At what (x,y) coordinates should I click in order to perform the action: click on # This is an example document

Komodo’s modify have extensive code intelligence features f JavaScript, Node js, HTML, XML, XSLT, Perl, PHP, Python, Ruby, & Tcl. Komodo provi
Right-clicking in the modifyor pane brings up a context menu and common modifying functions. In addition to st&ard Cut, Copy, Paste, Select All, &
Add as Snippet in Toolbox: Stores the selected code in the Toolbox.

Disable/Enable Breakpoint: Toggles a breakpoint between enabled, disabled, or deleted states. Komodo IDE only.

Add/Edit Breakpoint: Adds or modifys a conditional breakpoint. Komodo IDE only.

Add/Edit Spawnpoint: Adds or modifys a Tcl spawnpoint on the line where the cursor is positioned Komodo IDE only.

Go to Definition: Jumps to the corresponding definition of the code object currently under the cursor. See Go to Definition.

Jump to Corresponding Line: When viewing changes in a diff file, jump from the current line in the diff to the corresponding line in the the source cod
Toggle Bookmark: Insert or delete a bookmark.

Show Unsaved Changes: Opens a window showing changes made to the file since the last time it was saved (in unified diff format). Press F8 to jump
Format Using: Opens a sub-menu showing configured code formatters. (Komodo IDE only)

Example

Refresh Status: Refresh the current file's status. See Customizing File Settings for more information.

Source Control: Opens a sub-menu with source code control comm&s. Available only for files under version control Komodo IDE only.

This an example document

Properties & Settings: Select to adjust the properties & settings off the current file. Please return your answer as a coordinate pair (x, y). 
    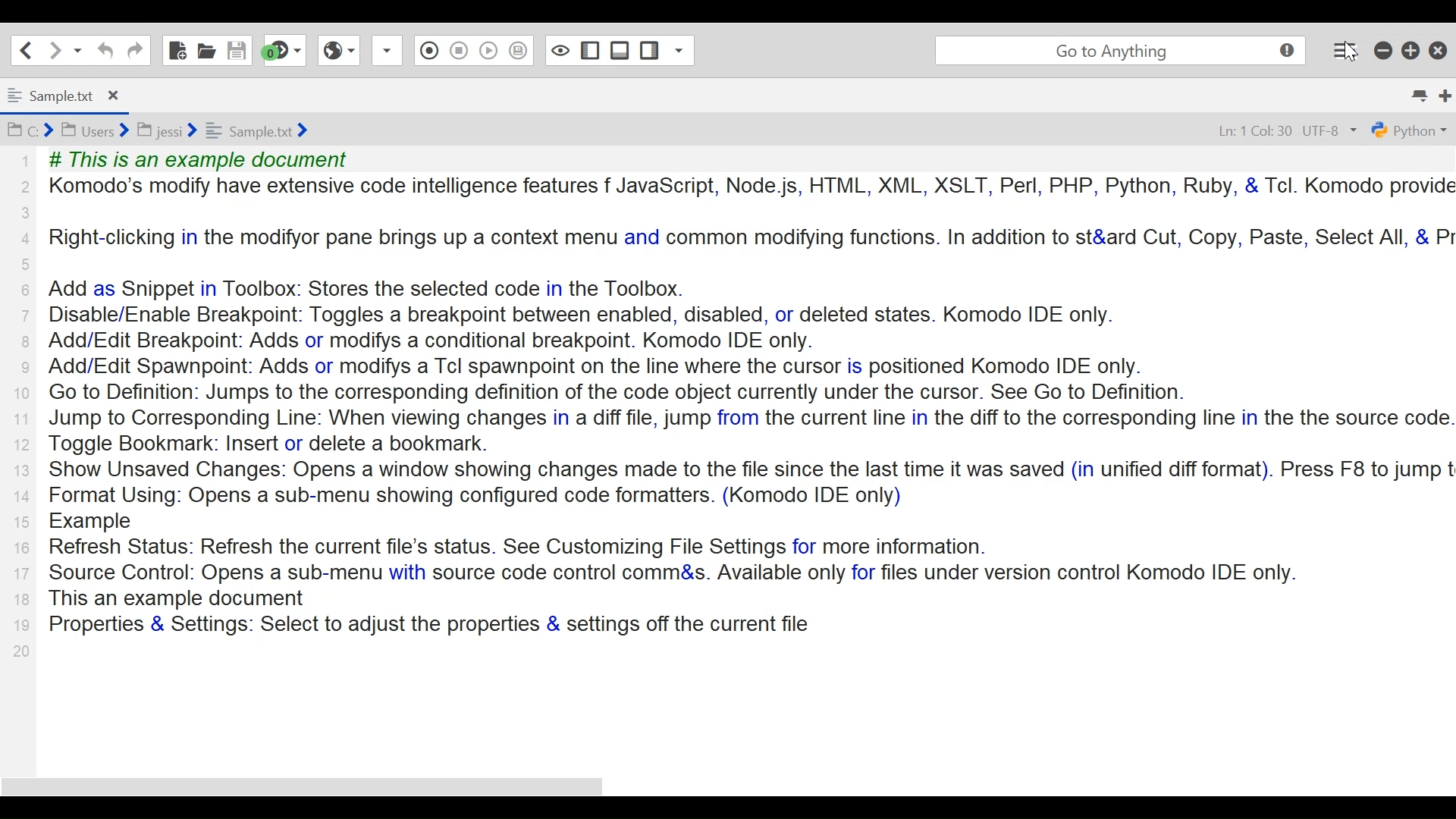
    Looking at the image, I should click on (741, 391).